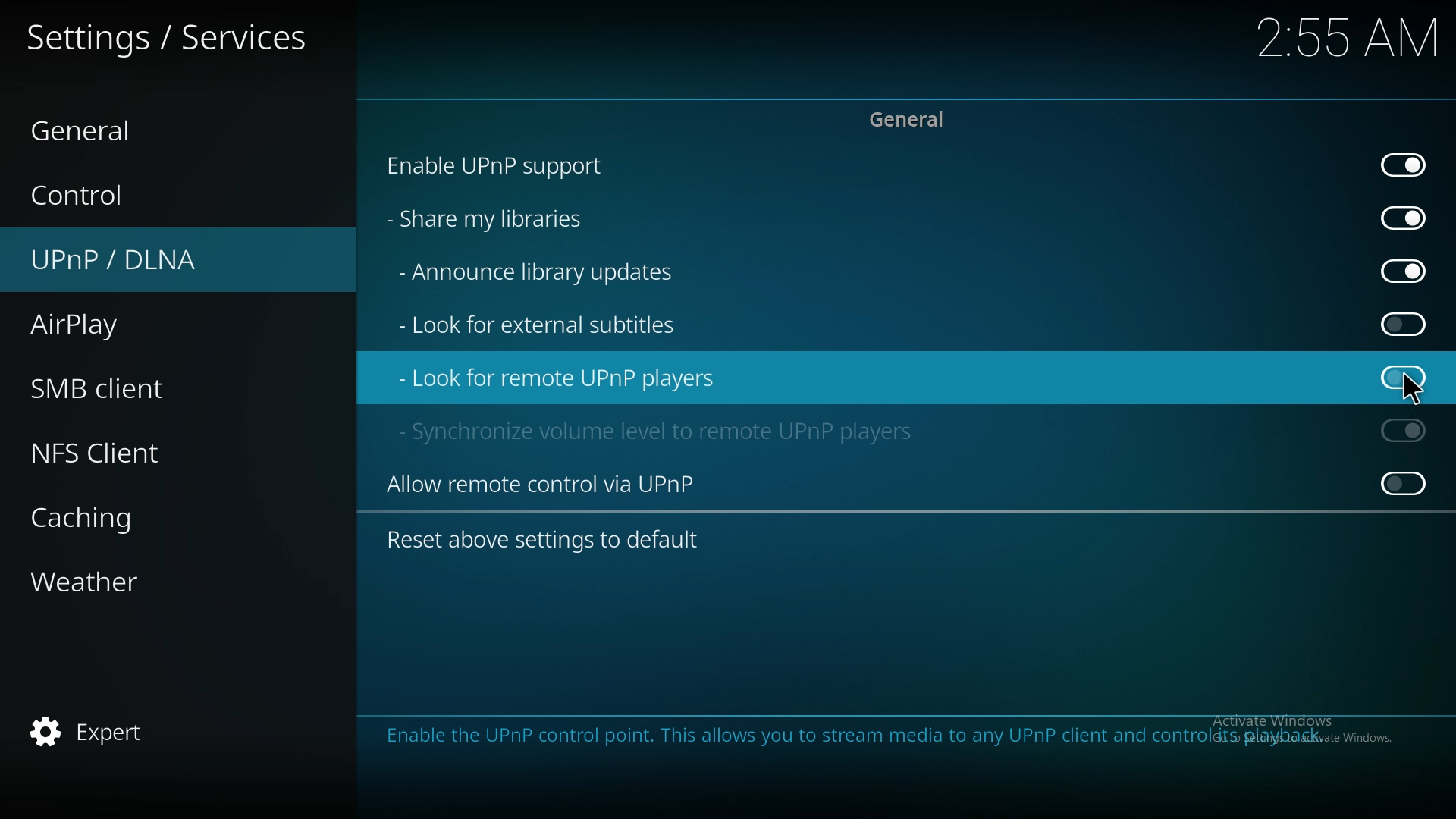 This screenshot has width=1456, height=819. What do you see at coordinates (106, 455) in the screenshot?
I see `nfs client` at bounding box center [106, 455].